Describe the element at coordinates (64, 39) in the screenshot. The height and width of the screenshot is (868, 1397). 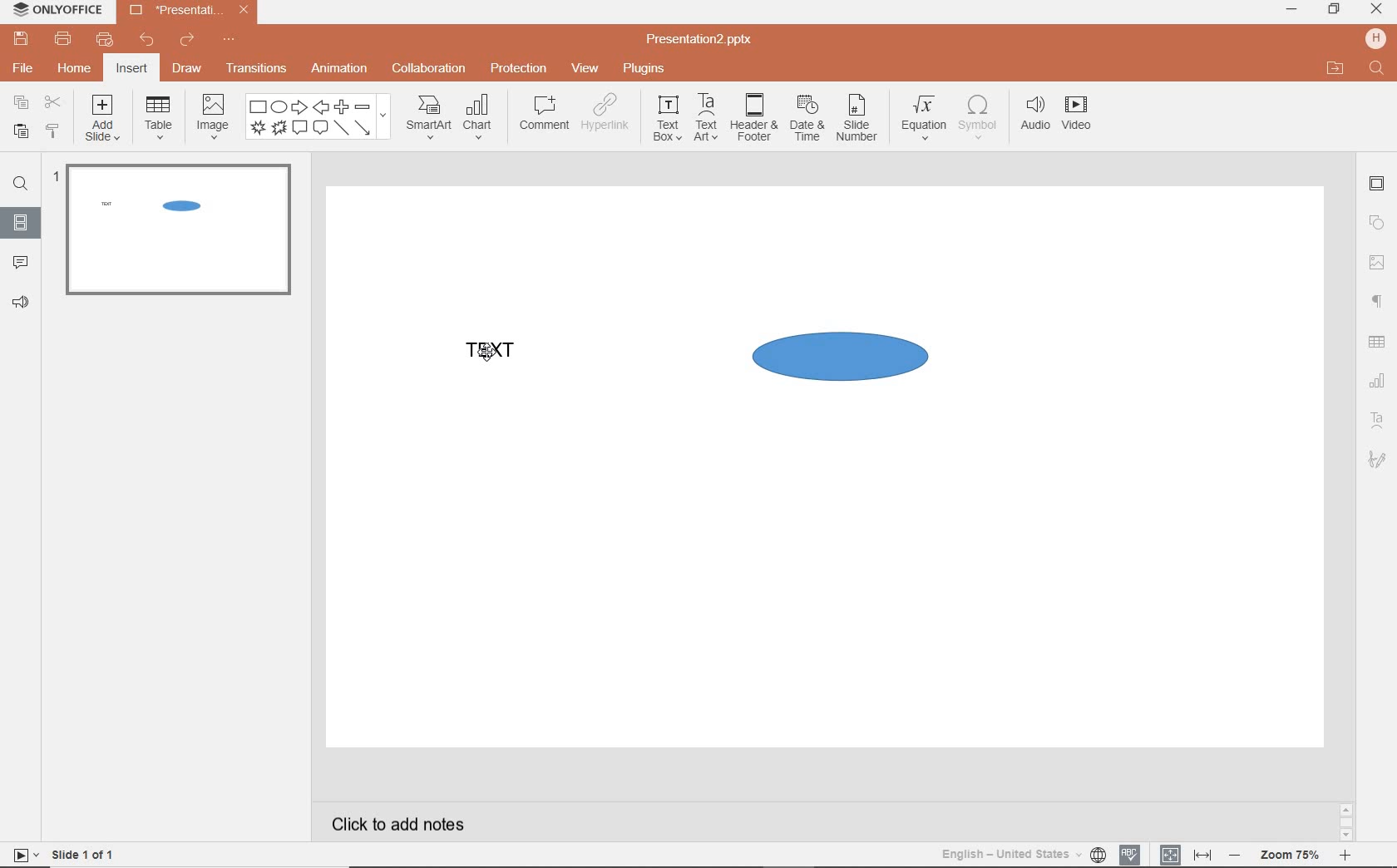
I see `print` at that location.